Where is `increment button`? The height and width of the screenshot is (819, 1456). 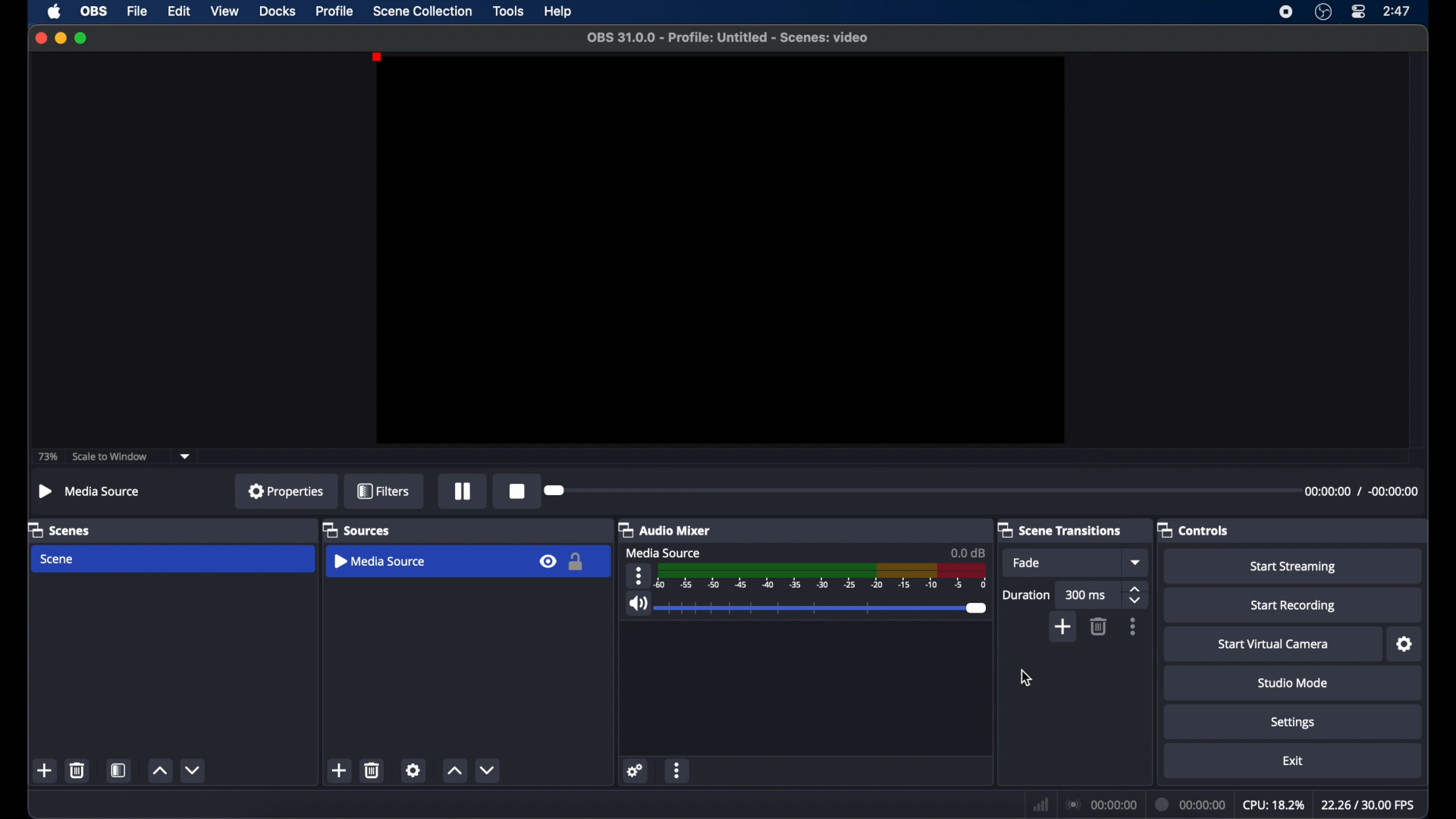
increment button is located at coordinates (159, 770).